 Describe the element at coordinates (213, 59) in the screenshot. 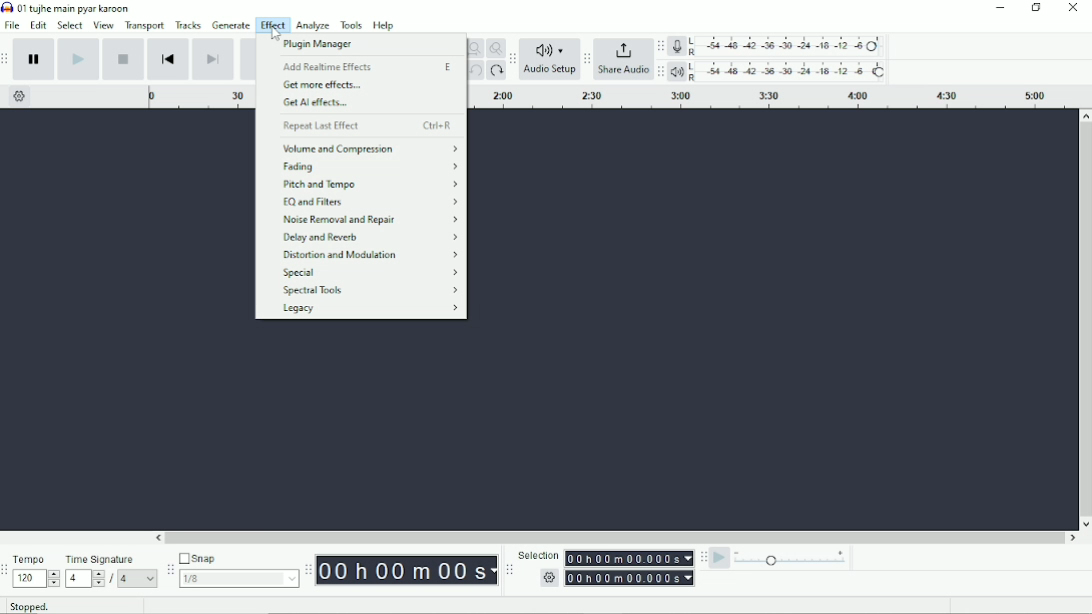

I see `Skip to end` at that location.